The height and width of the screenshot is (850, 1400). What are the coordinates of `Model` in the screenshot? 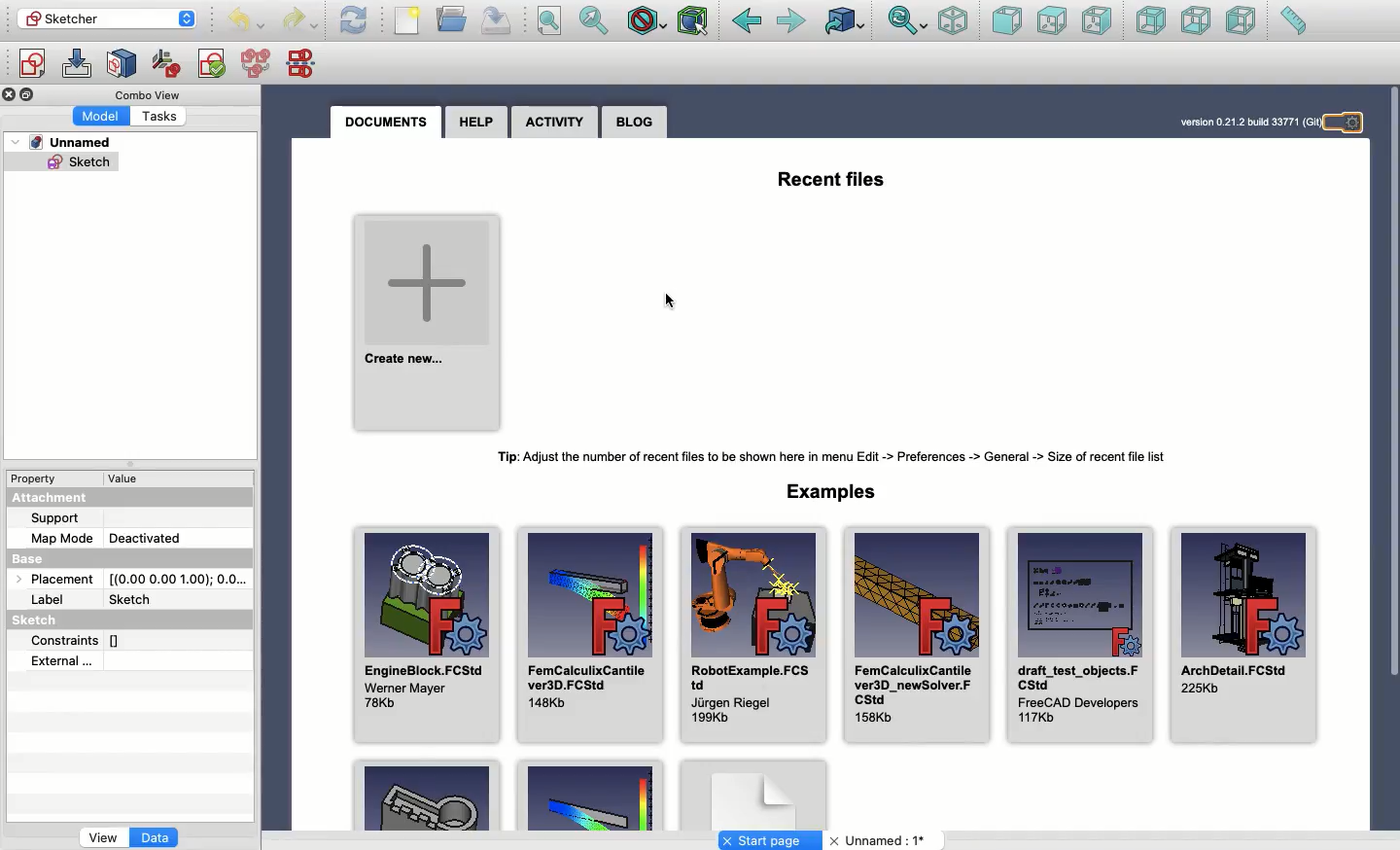 It's located at (102, 116).